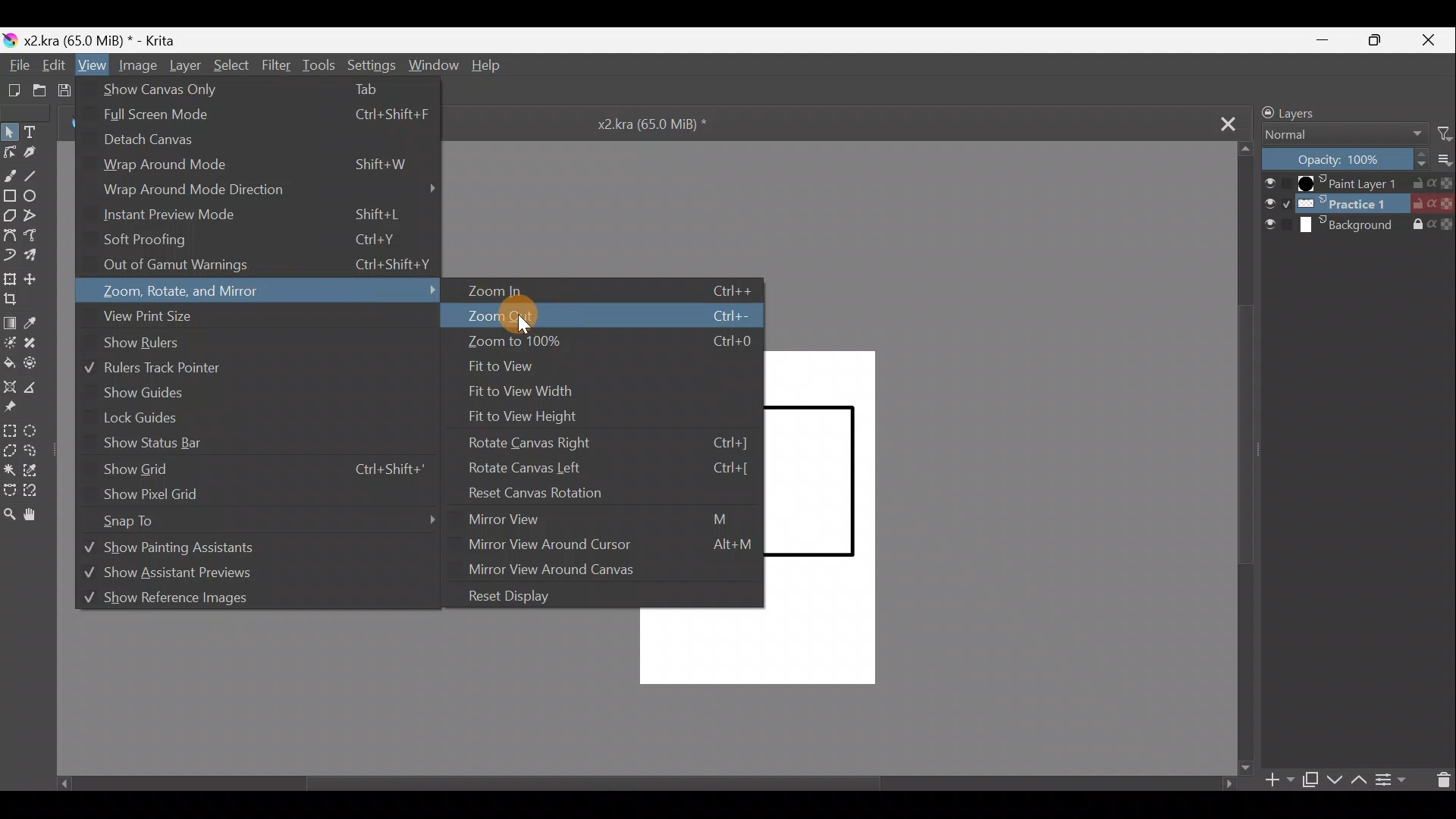 The height and width of the screenshot is (819, 1456). I want to click on Zoom In, so click(611, 291).